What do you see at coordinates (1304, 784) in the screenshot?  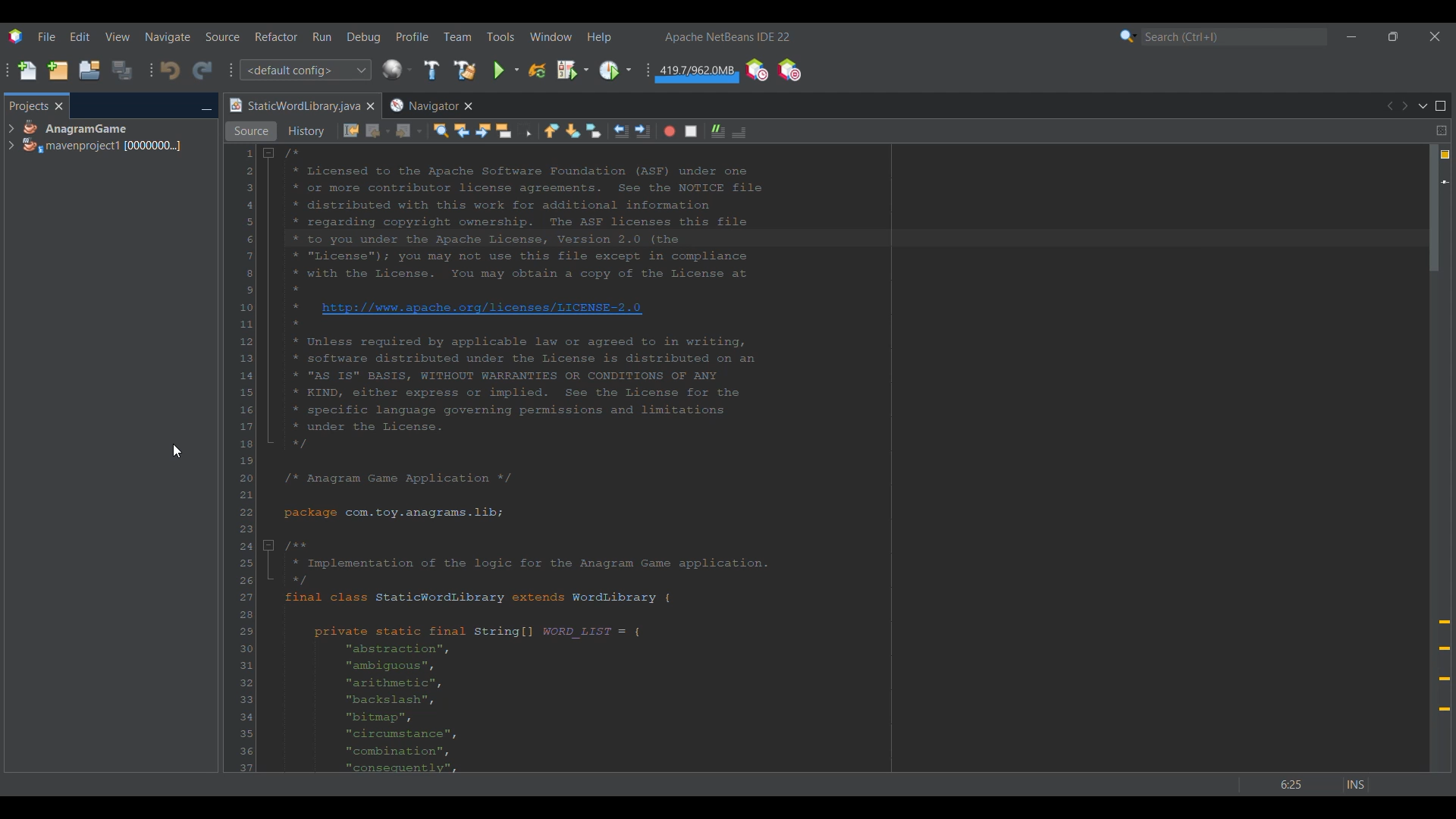 I see `Status bar details` at bounding box center [1304, 784].